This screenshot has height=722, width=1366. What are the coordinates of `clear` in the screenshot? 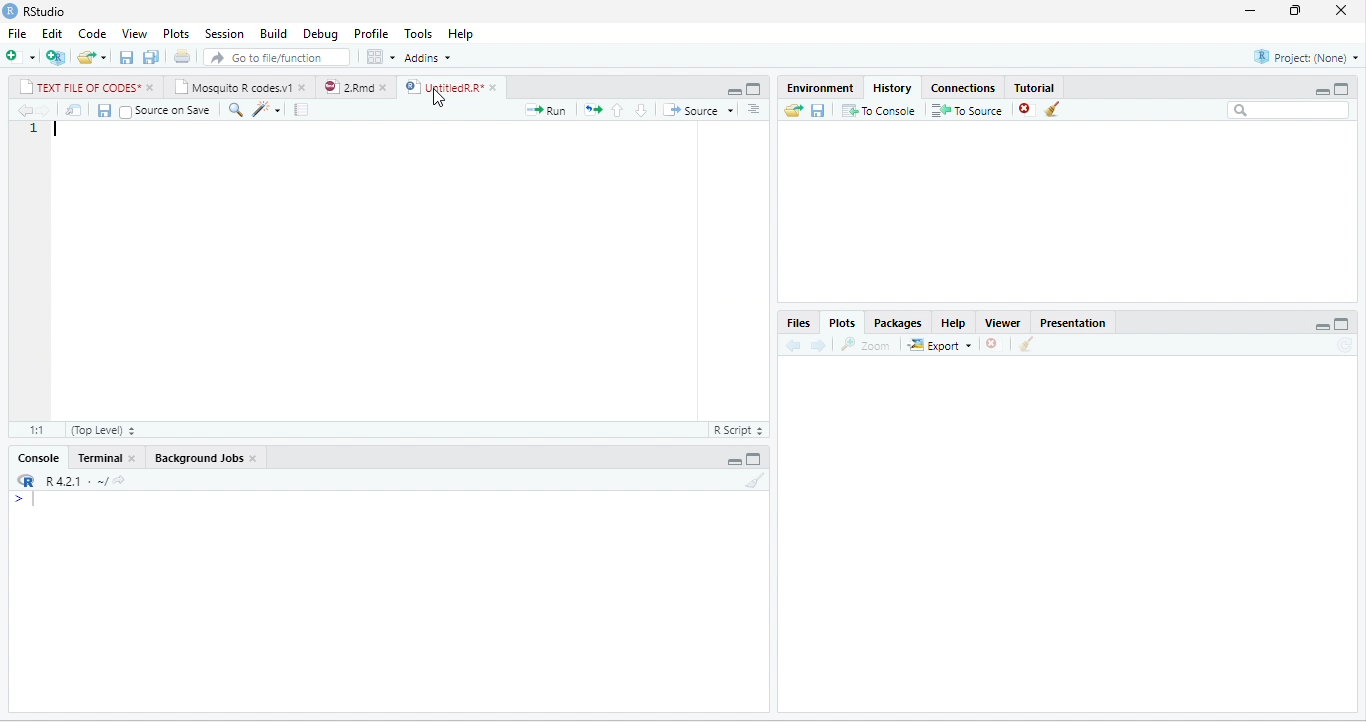 It's located at (1027, 344).